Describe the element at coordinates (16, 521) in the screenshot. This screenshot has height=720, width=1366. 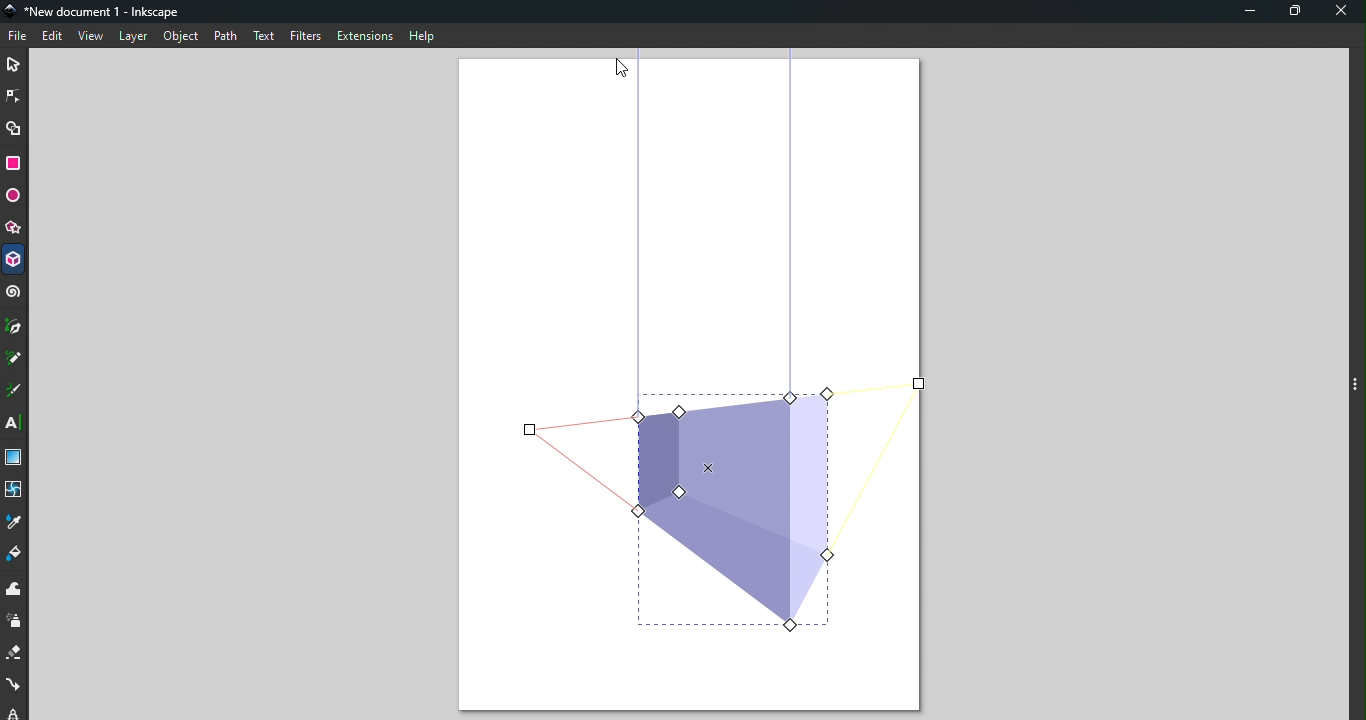
I see `Dropper tool` at that location.